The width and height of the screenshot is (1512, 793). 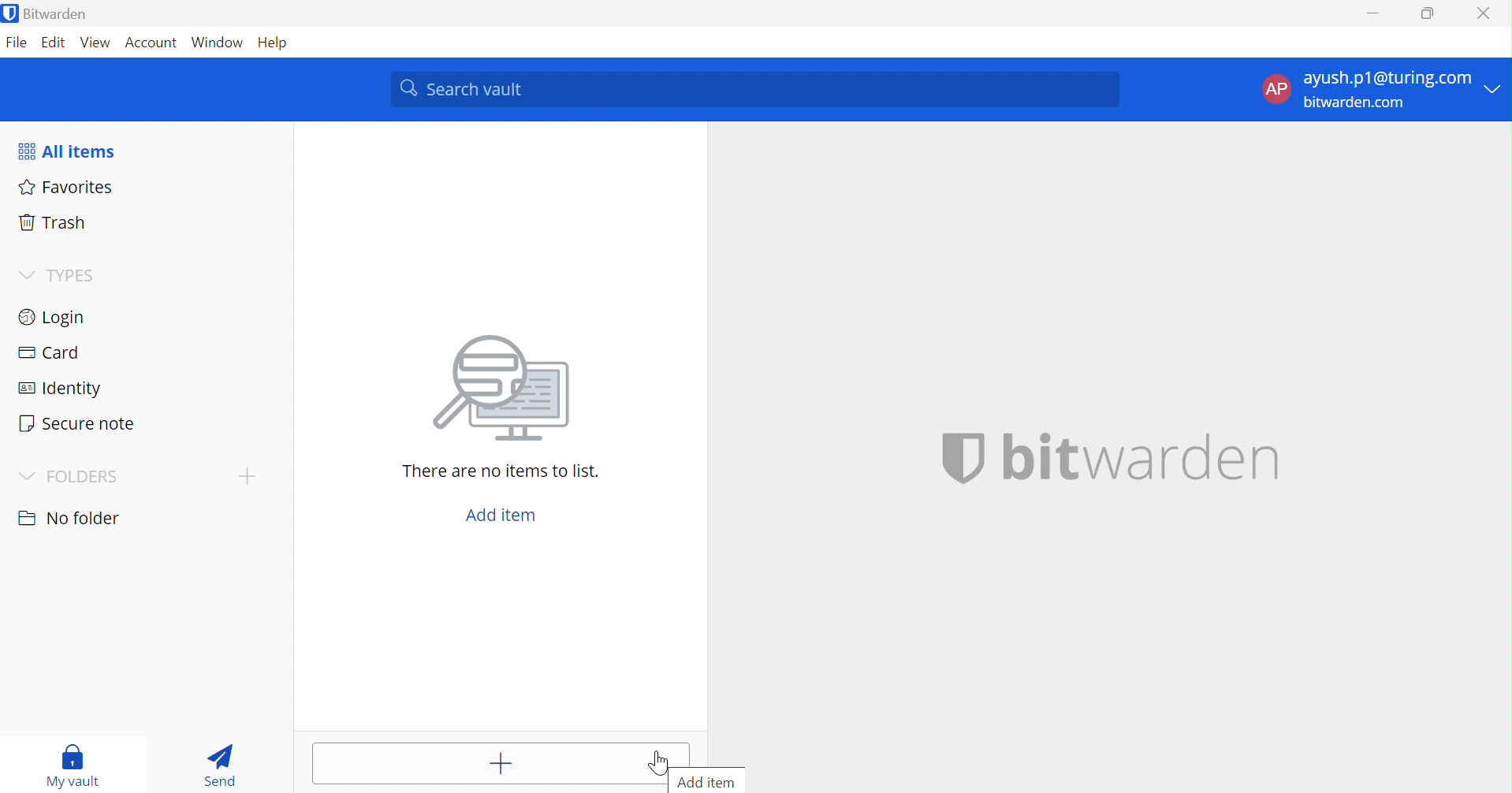 What do you see at coordinates (50, 319) in the screenshot?
I see `Login` at bounding box center [50, 319].